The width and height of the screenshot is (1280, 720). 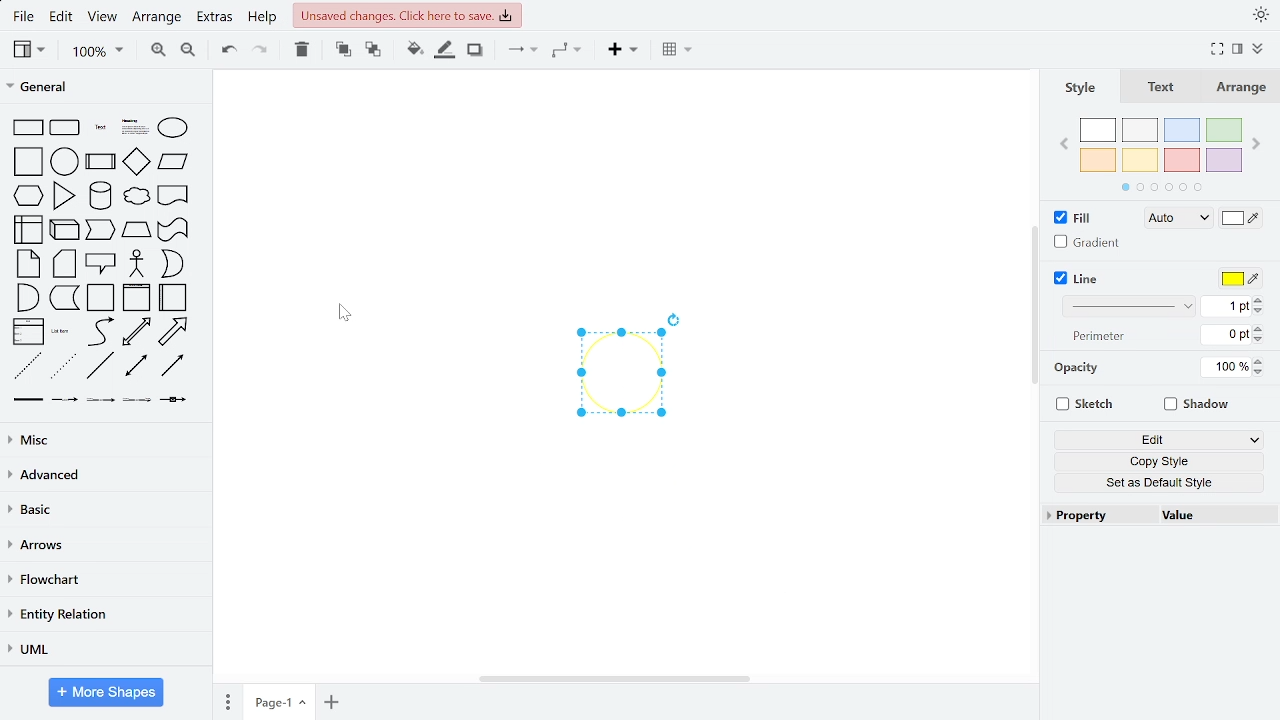 I want to click on actor, so click(x=137, y=263).